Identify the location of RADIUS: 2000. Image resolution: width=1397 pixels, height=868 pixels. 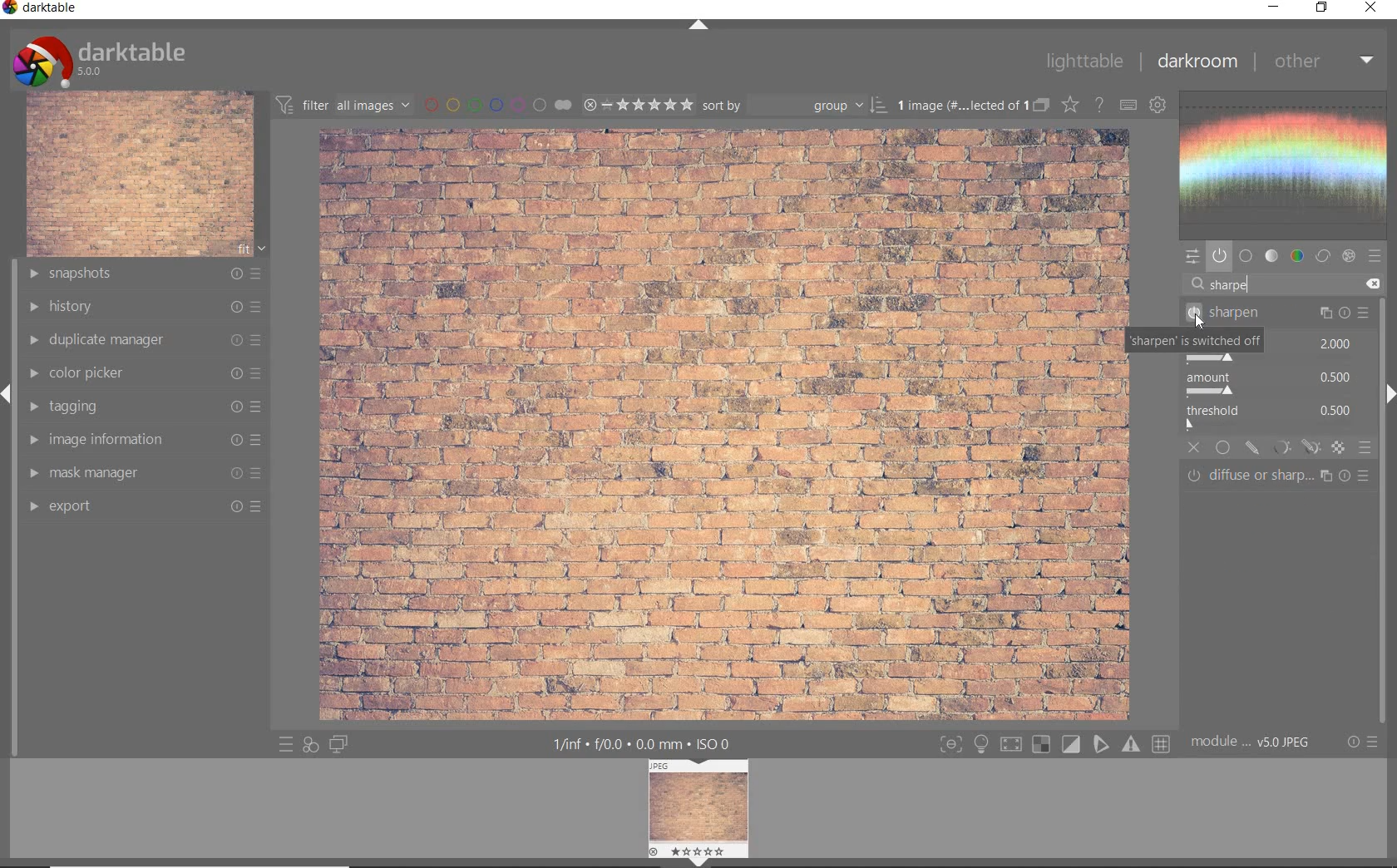
(1335, 344).